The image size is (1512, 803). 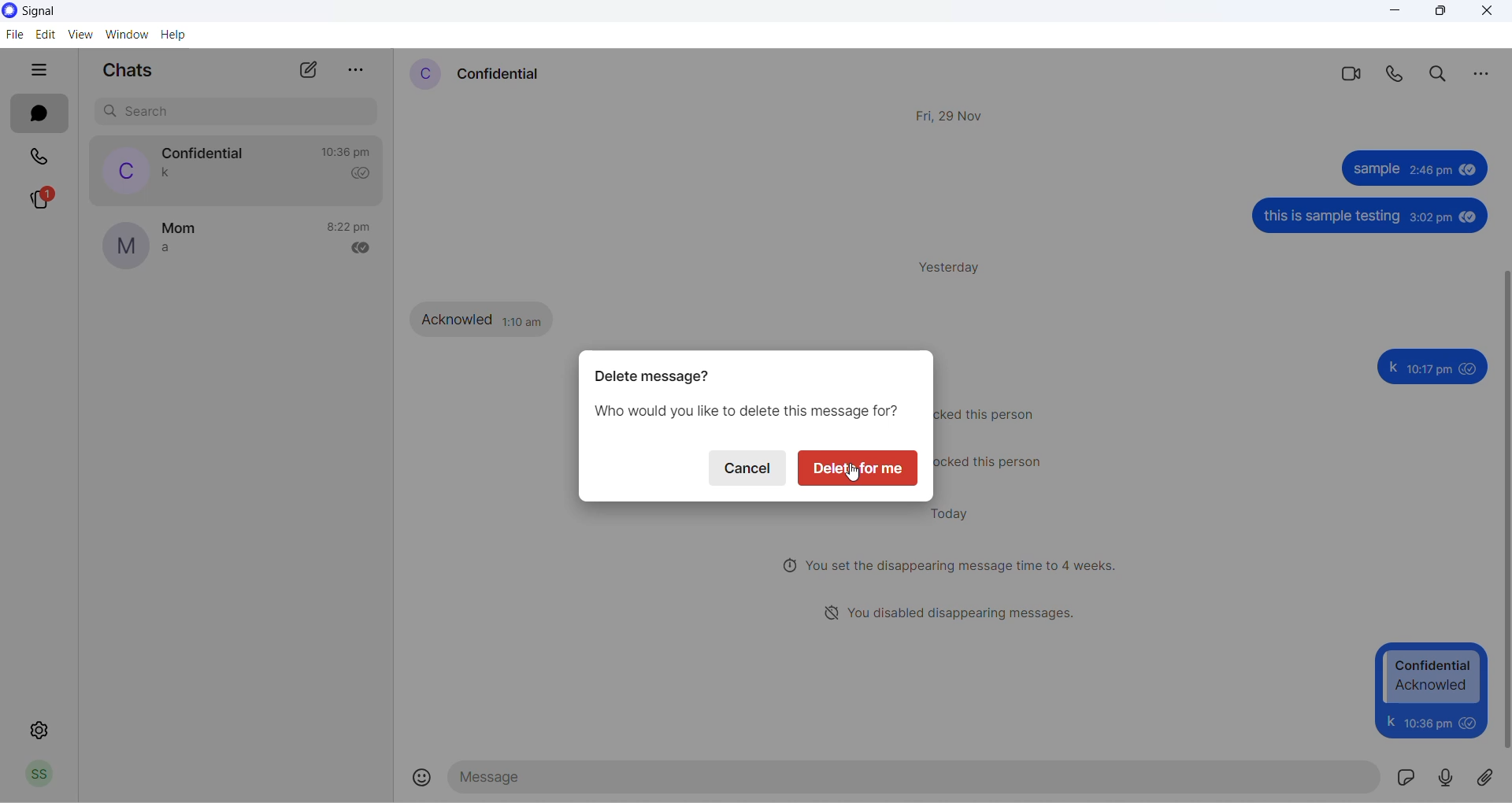 I want to click on file, so click(x=17, y=35).